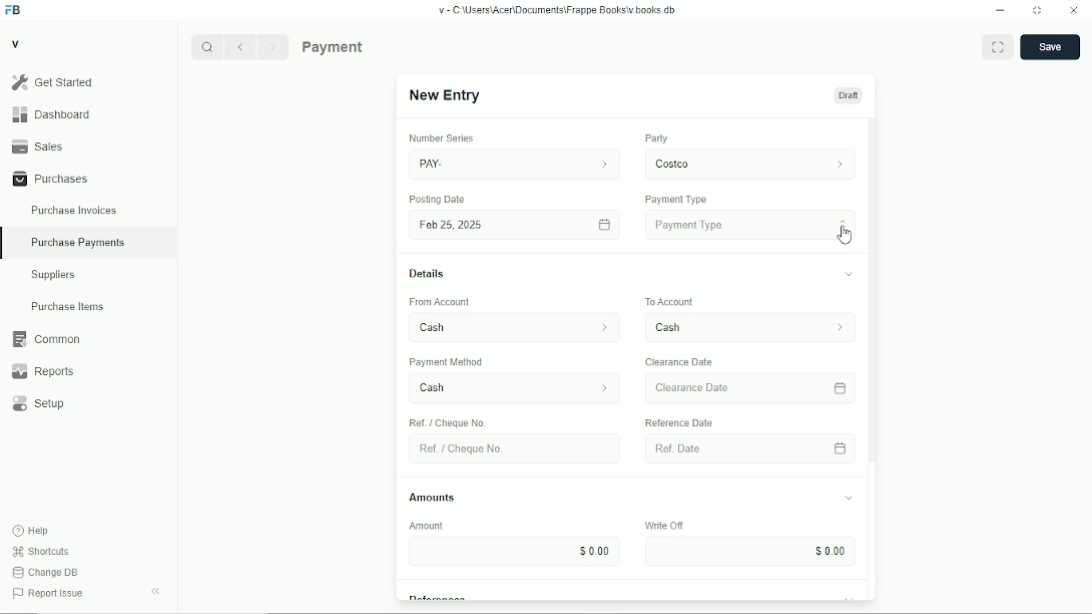  I want to click on calender, so click(843, 386).